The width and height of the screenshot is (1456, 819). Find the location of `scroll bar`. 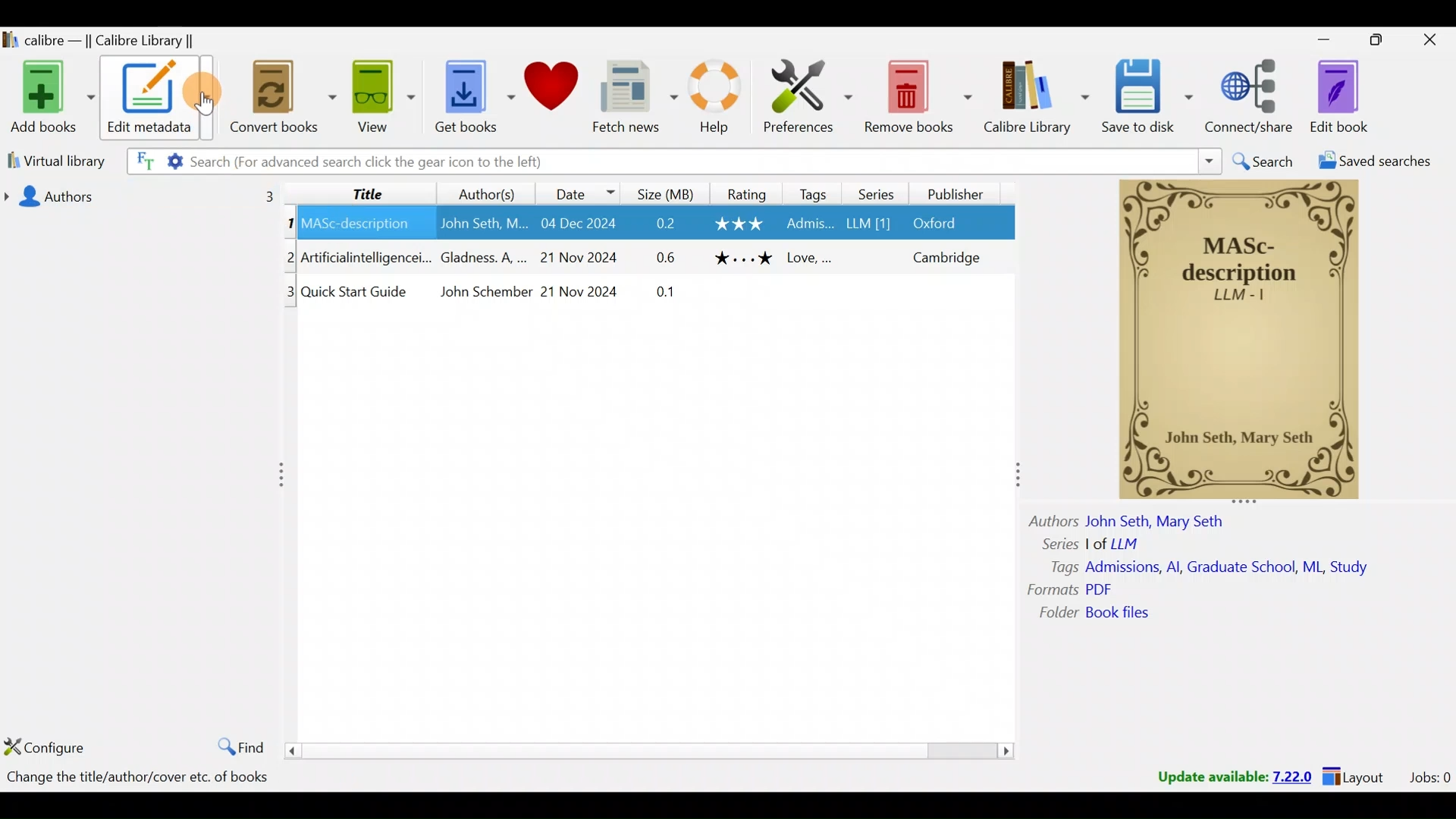

scroll bar is located at coordinates (650, 748).